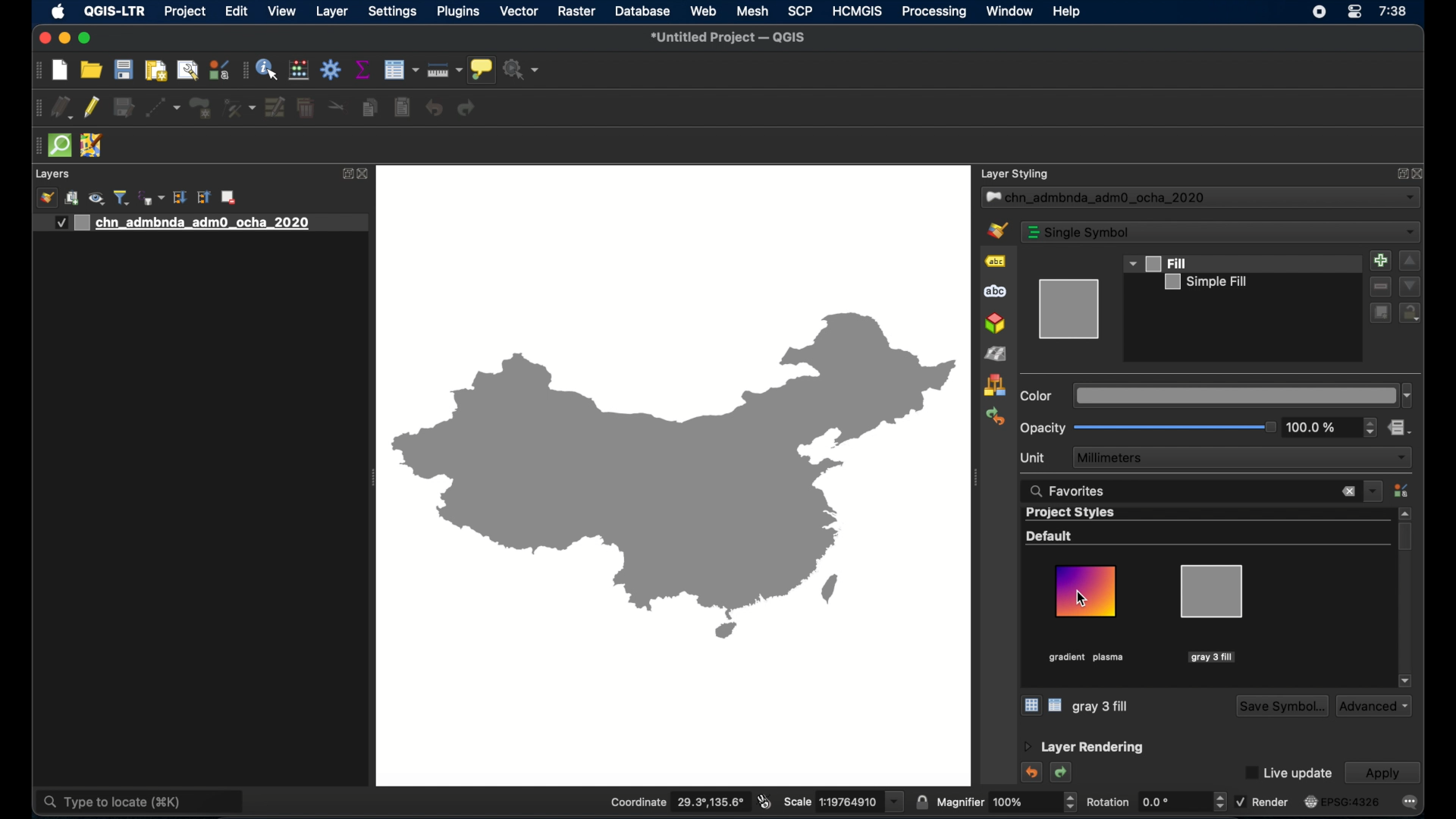  Describe the element at coordinates (482, 69) in the screenshot. I see `show map tips` at that location.